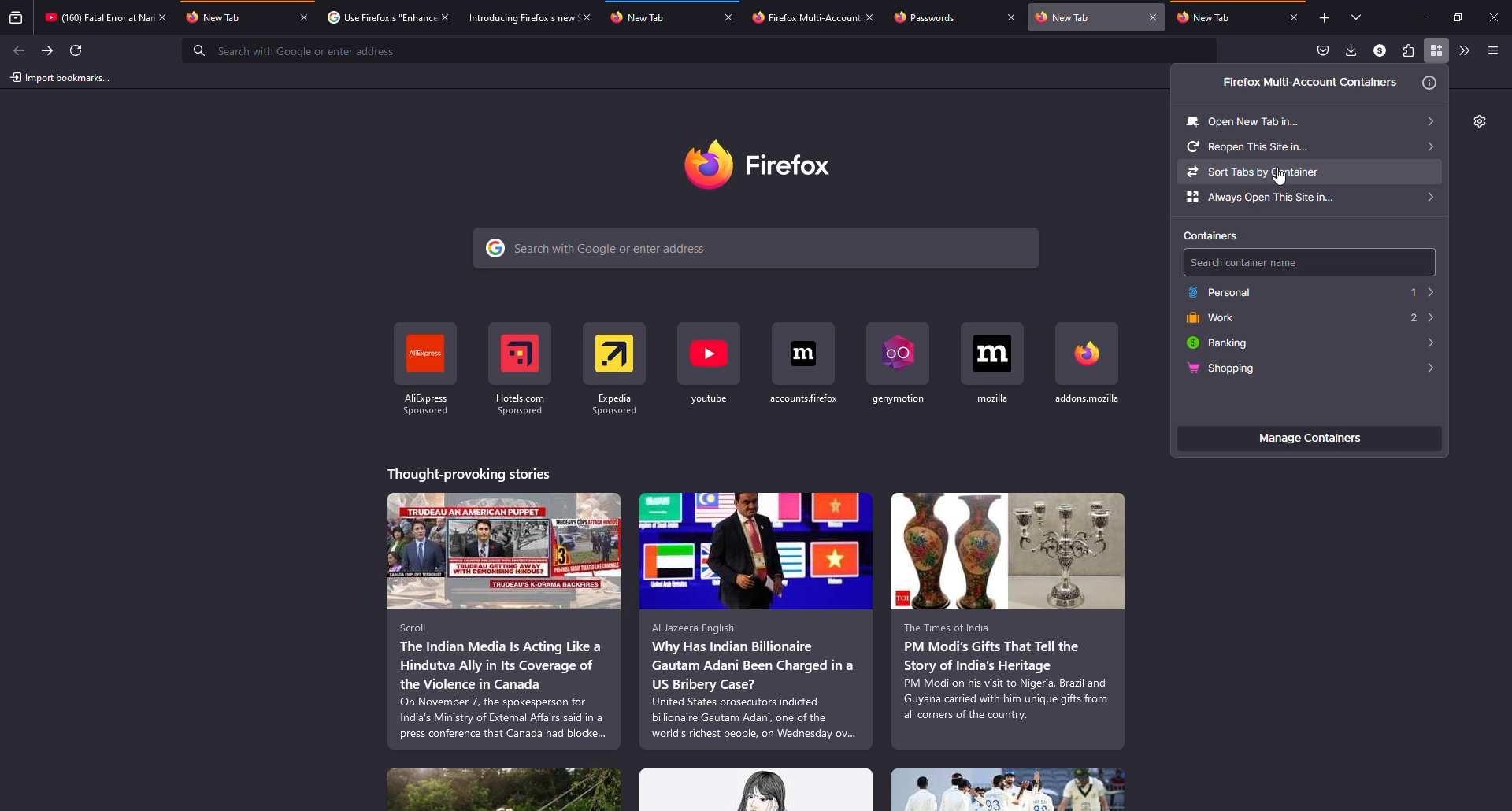  I want to click on 1, so click(1420, 291).